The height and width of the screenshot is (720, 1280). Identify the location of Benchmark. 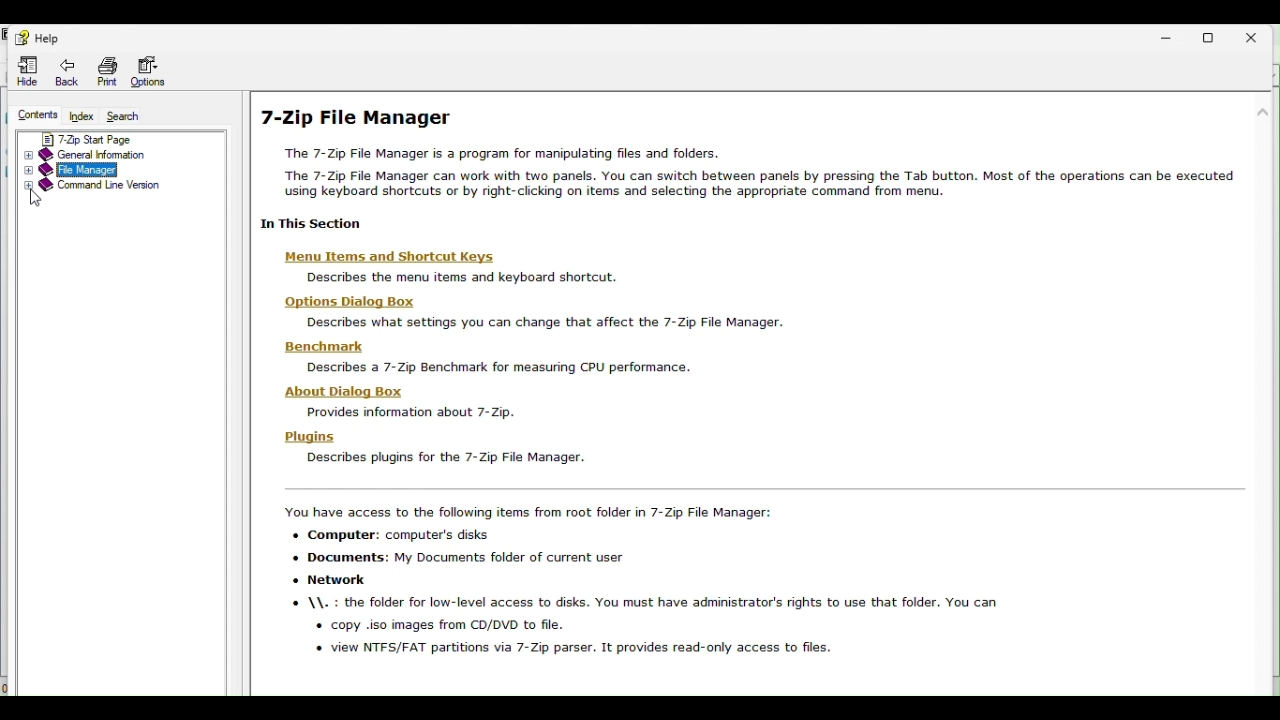
(323, 347).